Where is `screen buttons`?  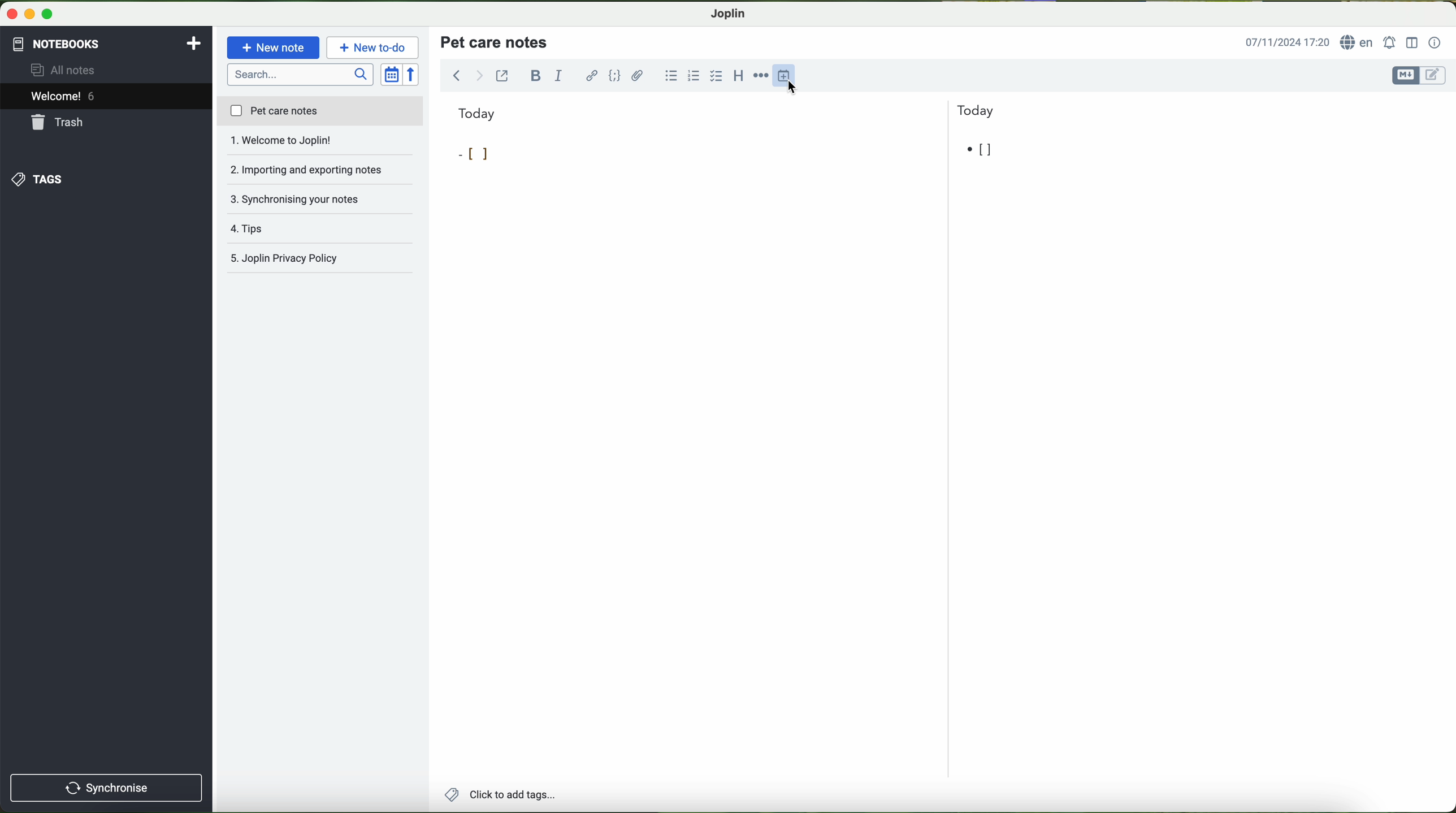
screen buttons is located at coordinates (28, 15).